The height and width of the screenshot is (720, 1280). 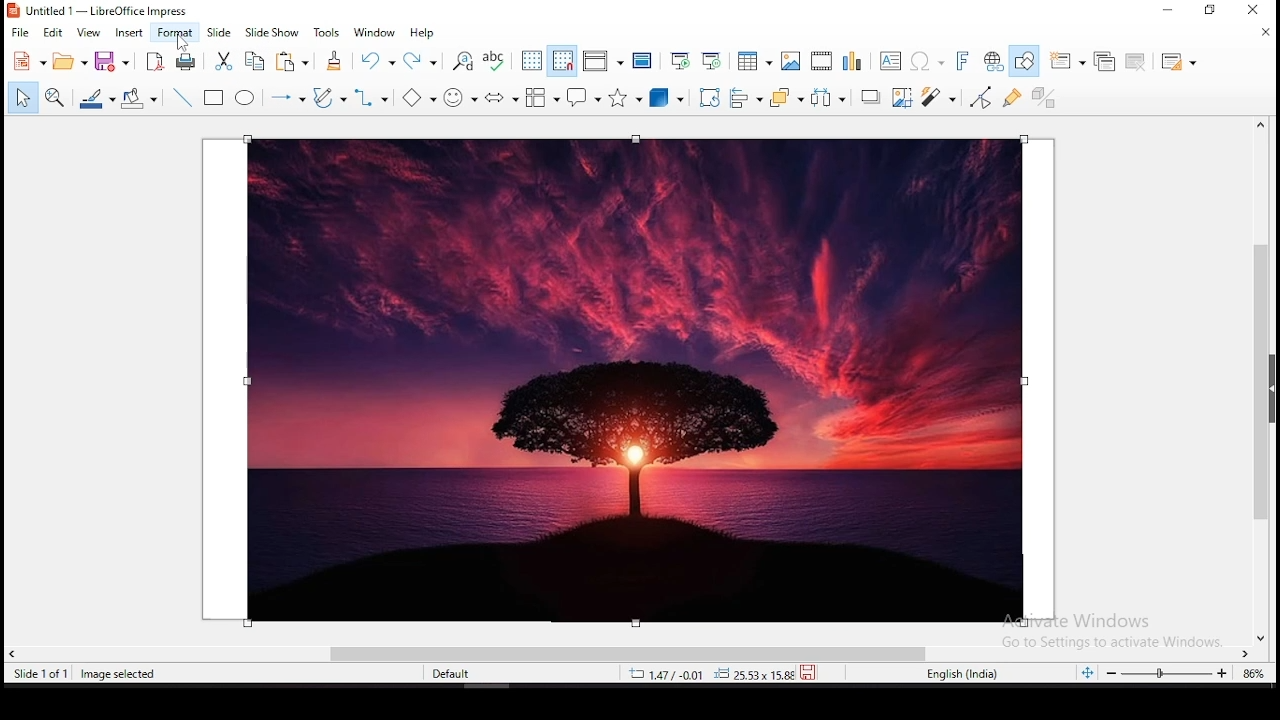 What do you see at coordinates (224, 61) in the screenshot?
I see `cut` at bounding box center [224, 61].